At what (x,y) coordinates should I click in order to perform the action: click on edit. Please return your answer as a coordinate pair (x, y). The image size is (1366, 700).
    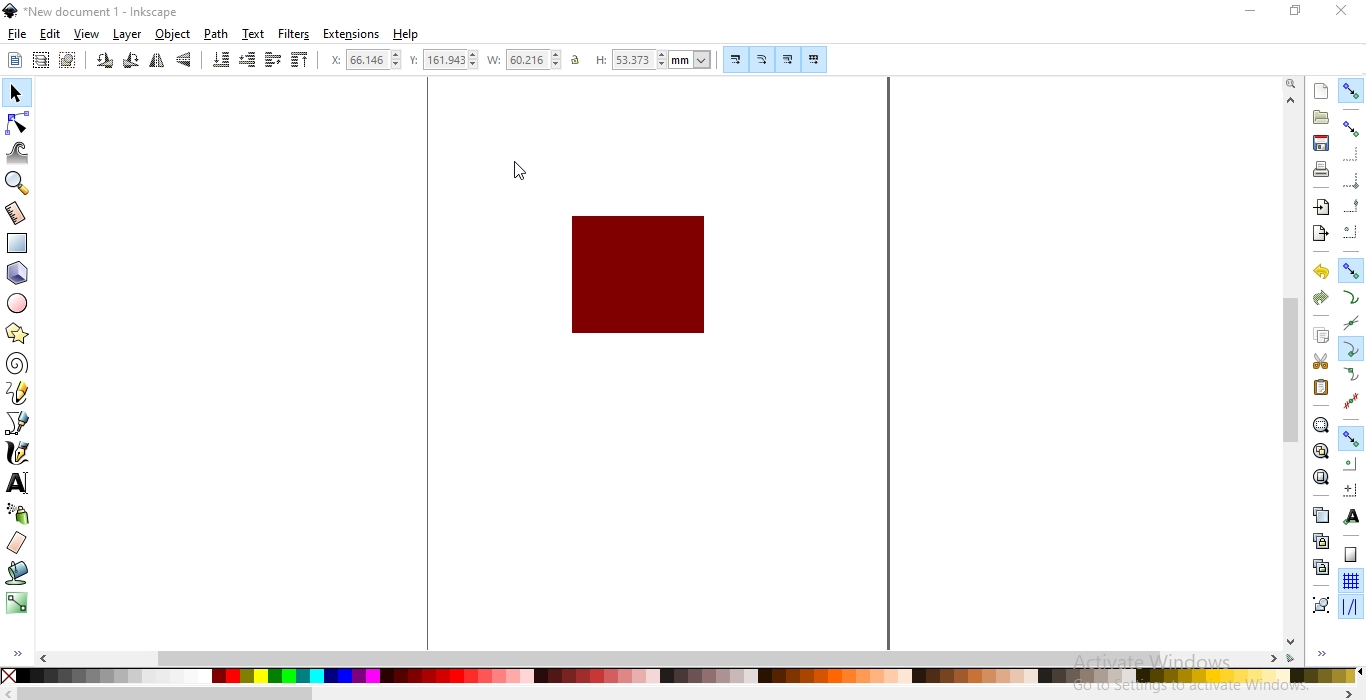
    Looking at the image, I should click on (50, 33).